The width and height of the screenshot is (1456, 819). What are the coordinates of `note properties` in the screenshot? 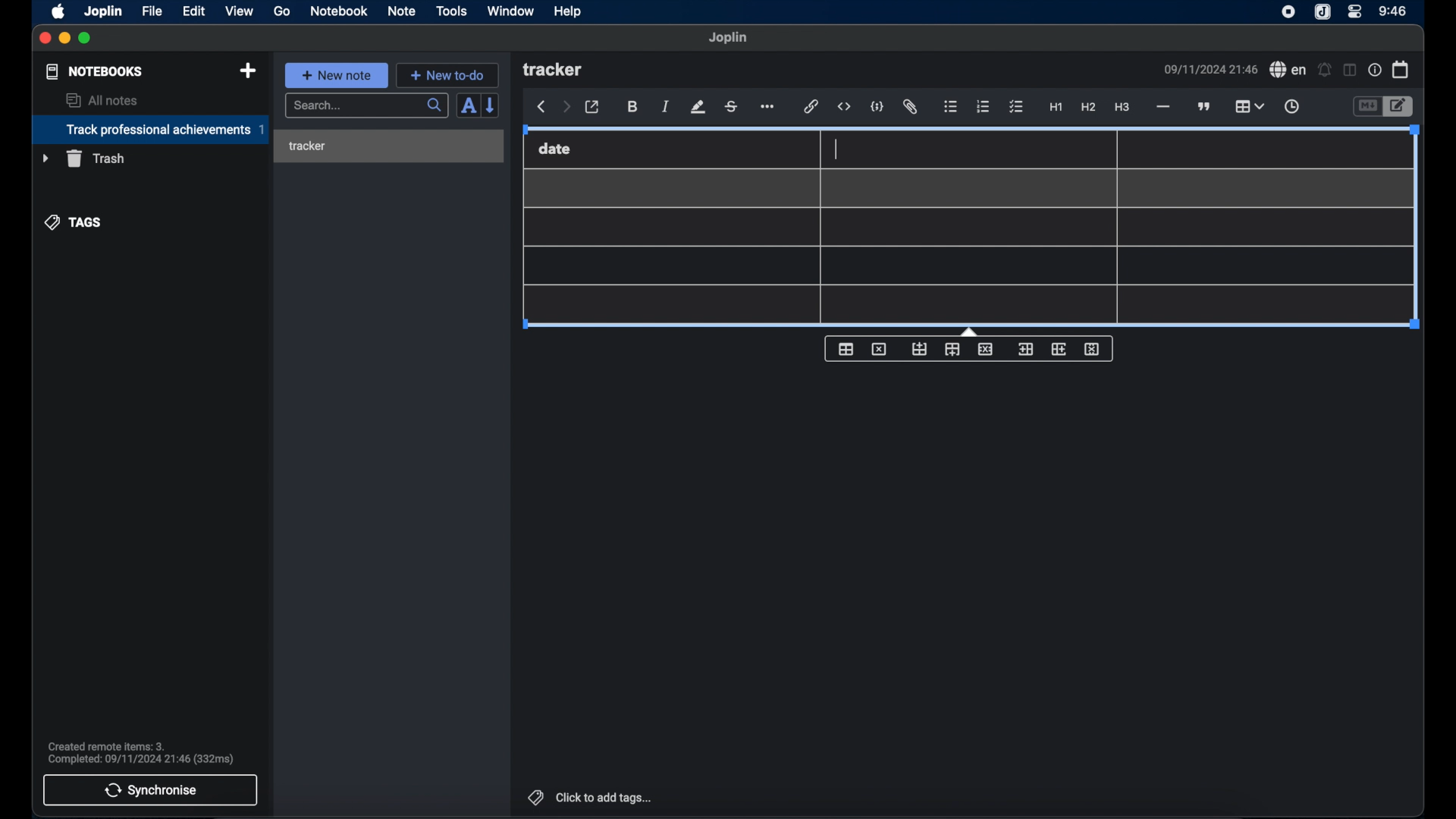 It's located at (1374, 70).